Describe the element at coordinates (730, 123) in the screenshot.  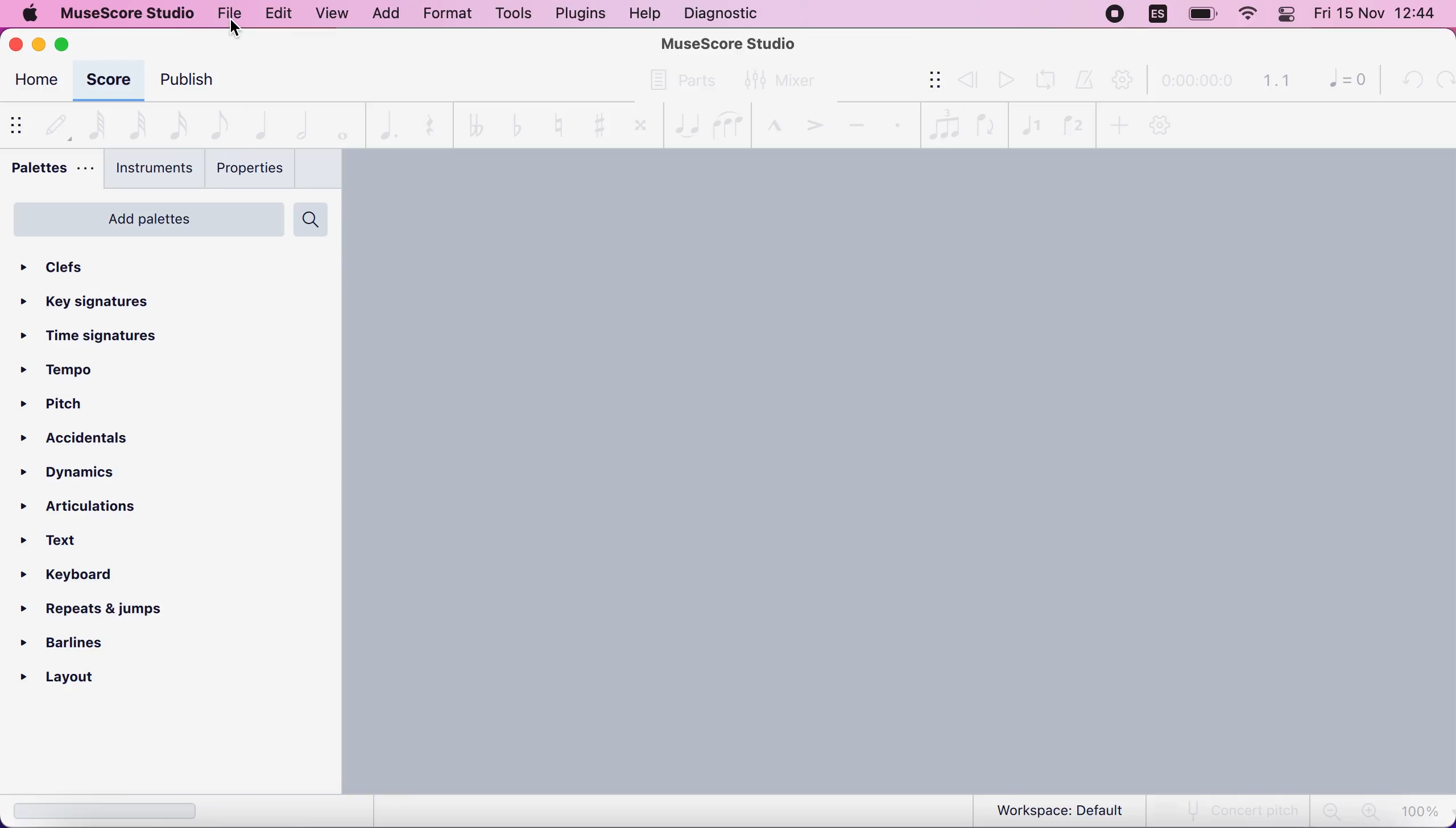
I see `slur` at that location.